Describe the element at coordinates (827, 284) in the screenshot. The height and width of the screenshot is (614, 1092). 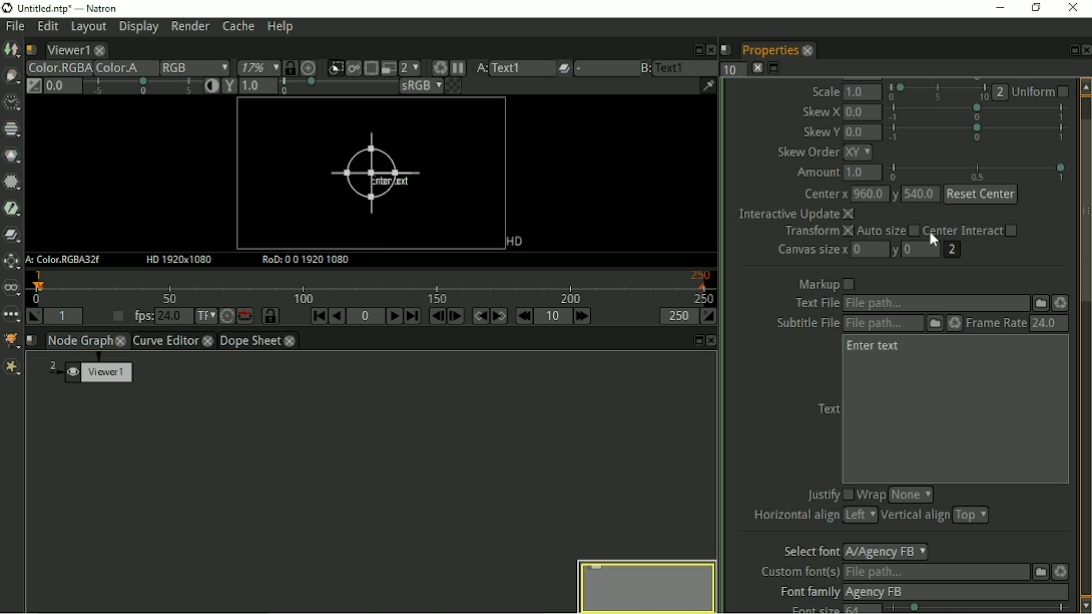
I see `Markup` at that location.